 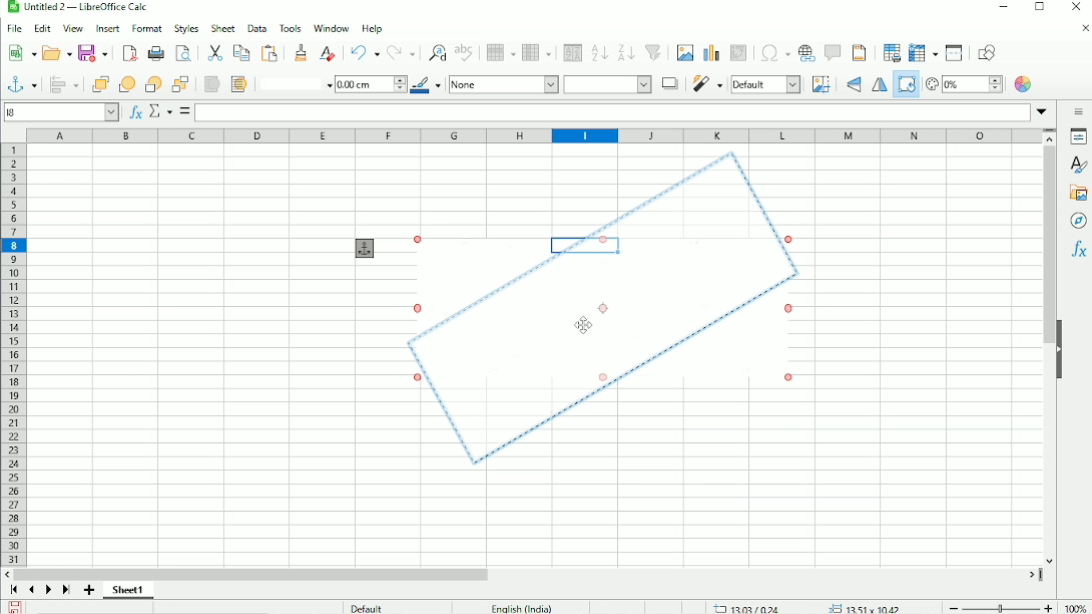 What do you see at coordinates (13, 591) in the screenshot?
I see `Scroll to first sheet` at bounding box center [13, 591].